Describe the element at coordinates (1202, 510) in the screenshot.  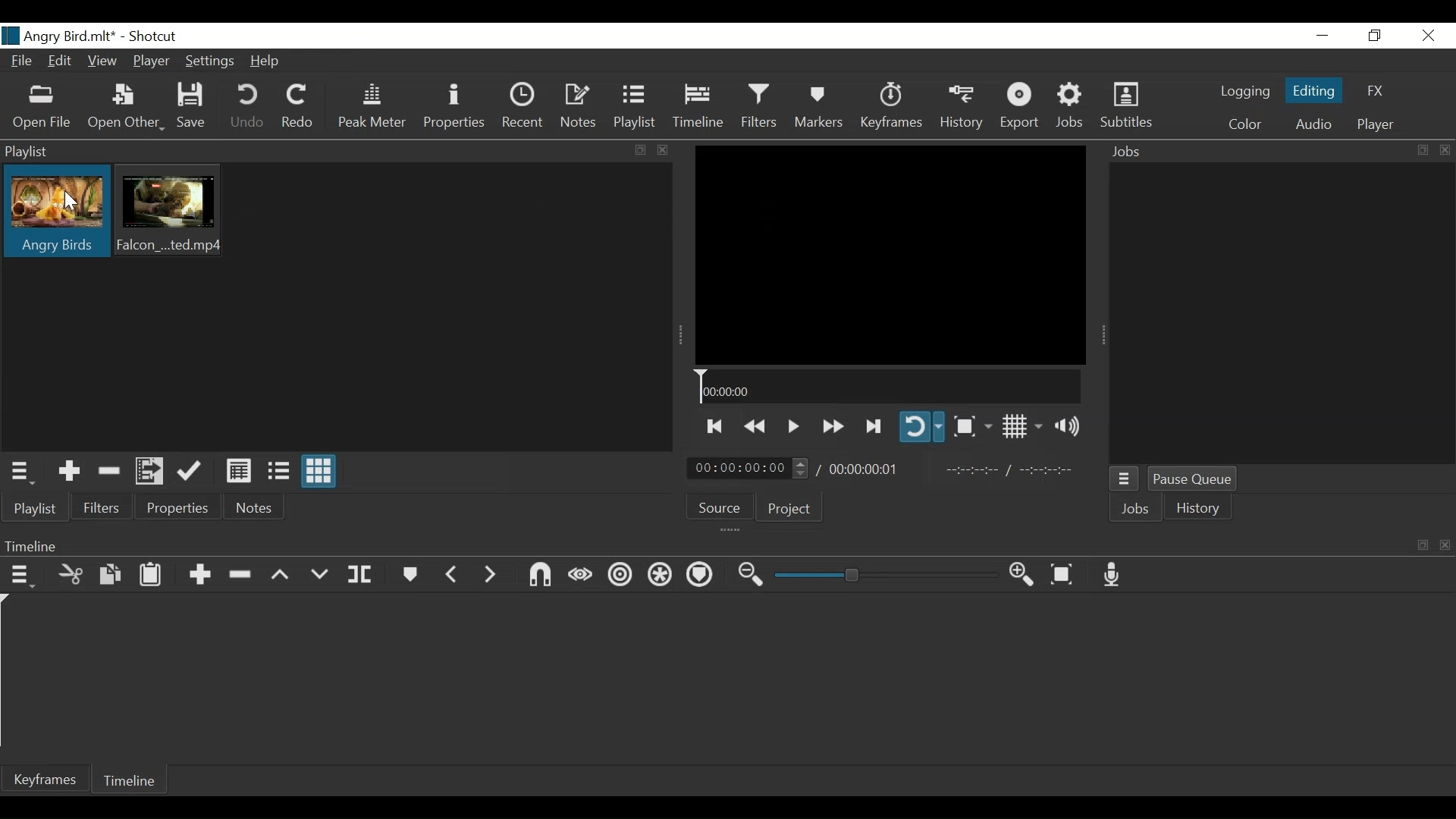
I see `History` at that location.